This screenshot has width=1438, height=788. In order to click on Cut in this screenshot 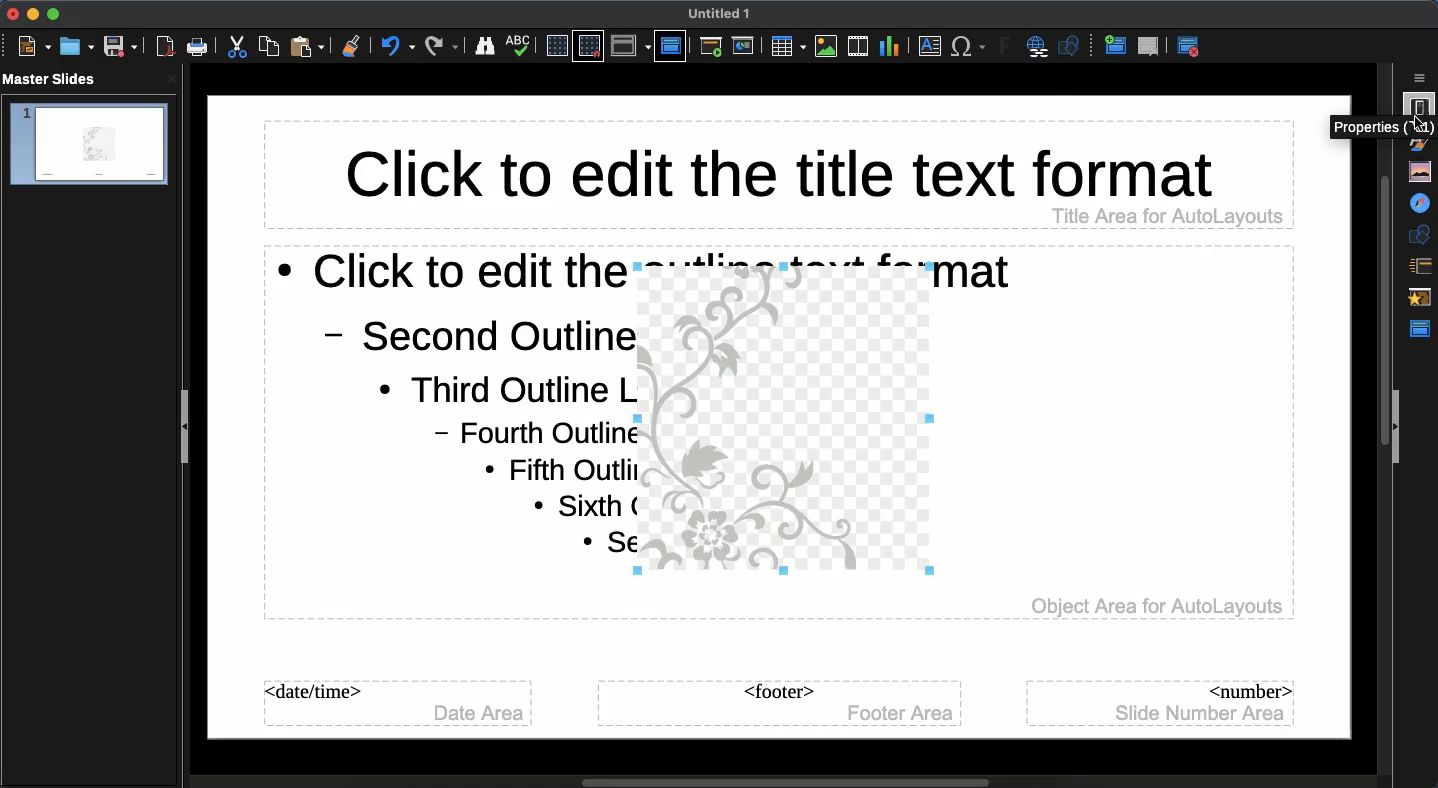, I will do `click(240, 47)`.